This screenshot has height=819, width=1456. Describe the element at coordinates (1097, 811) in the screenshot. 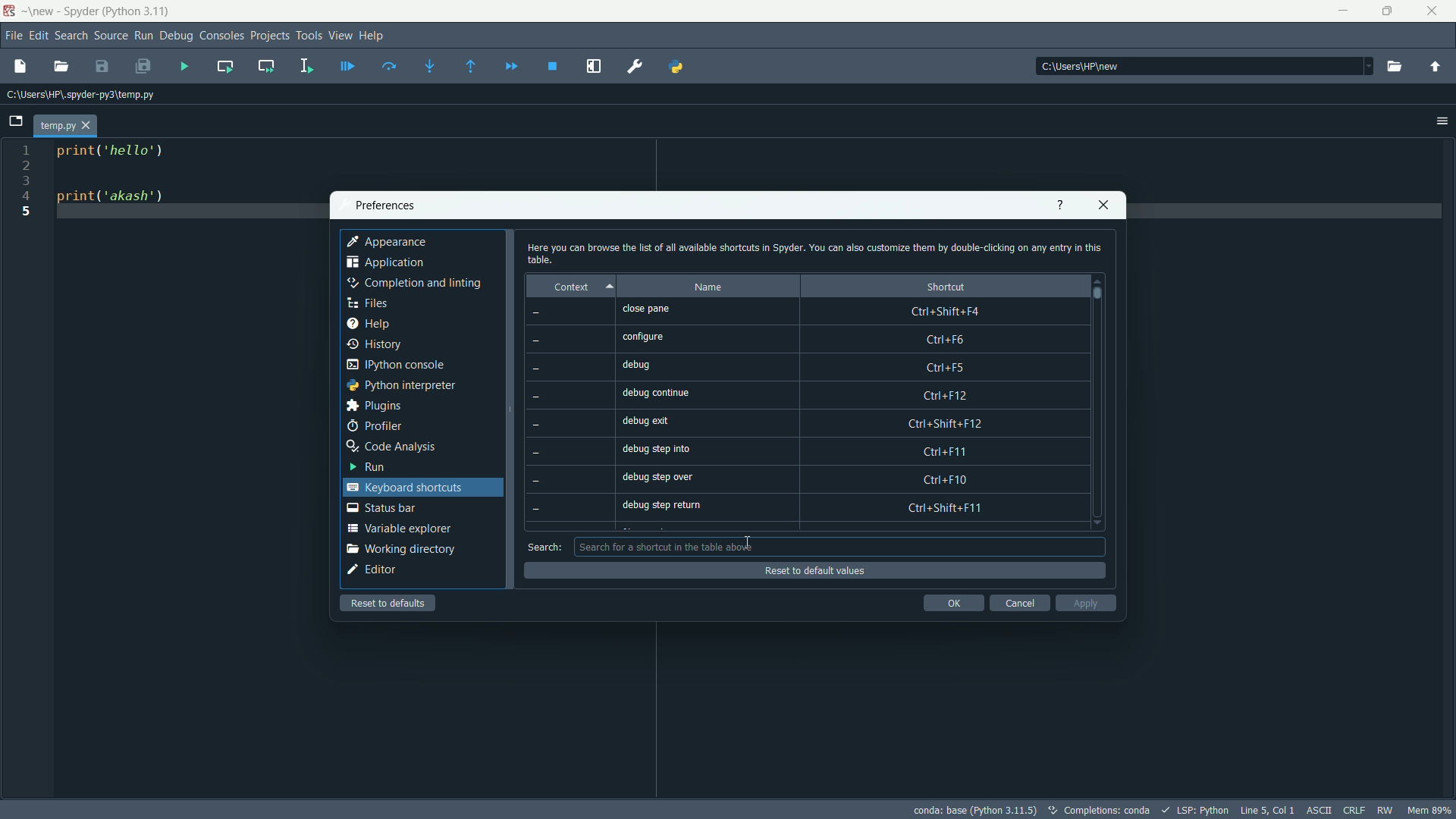

I see `completions:conda` at that location.